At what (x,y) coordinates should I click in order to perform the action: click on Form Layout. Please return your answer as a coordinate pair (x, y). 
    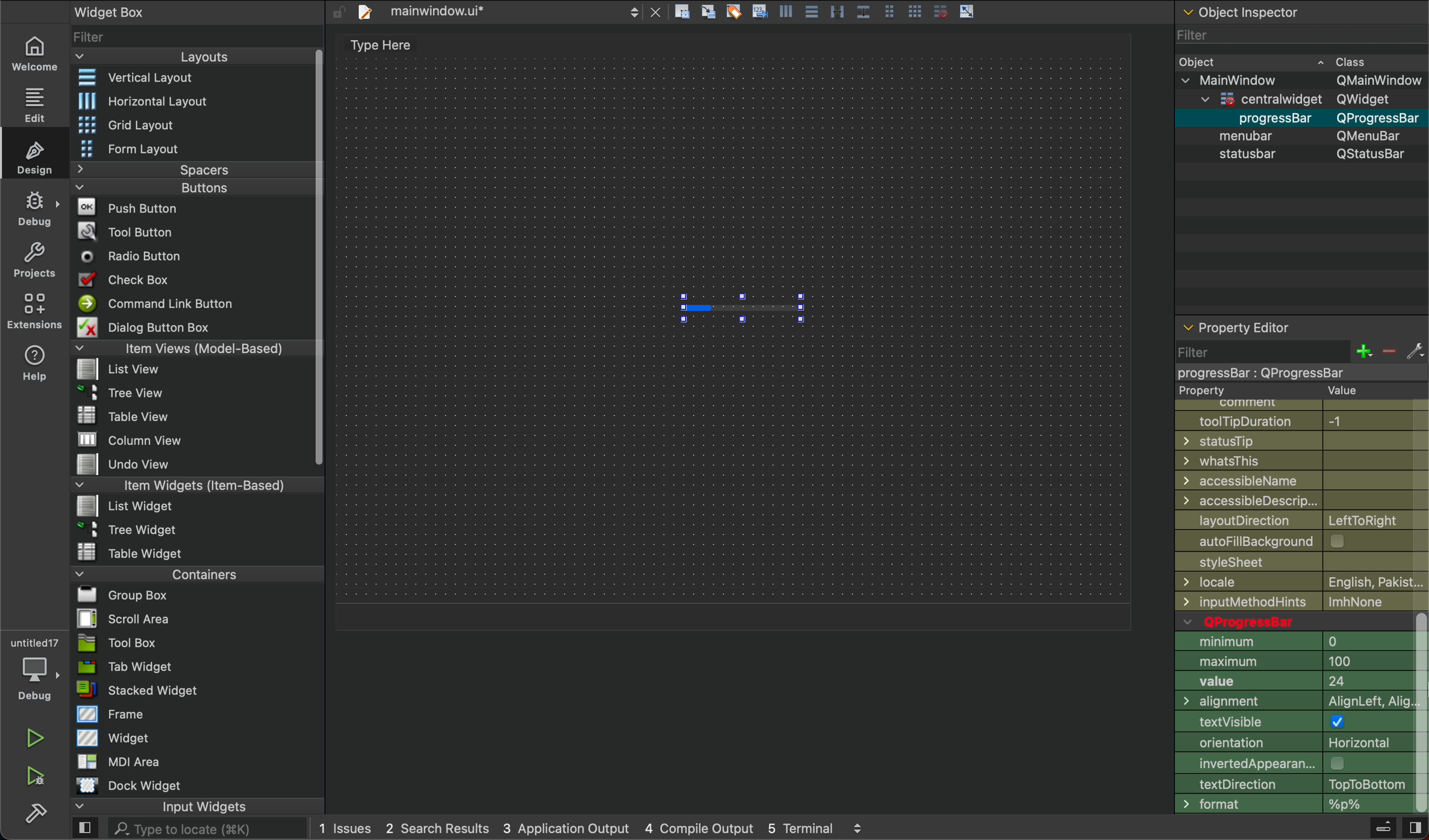
    Looking at the image, I should click on (143, 149).